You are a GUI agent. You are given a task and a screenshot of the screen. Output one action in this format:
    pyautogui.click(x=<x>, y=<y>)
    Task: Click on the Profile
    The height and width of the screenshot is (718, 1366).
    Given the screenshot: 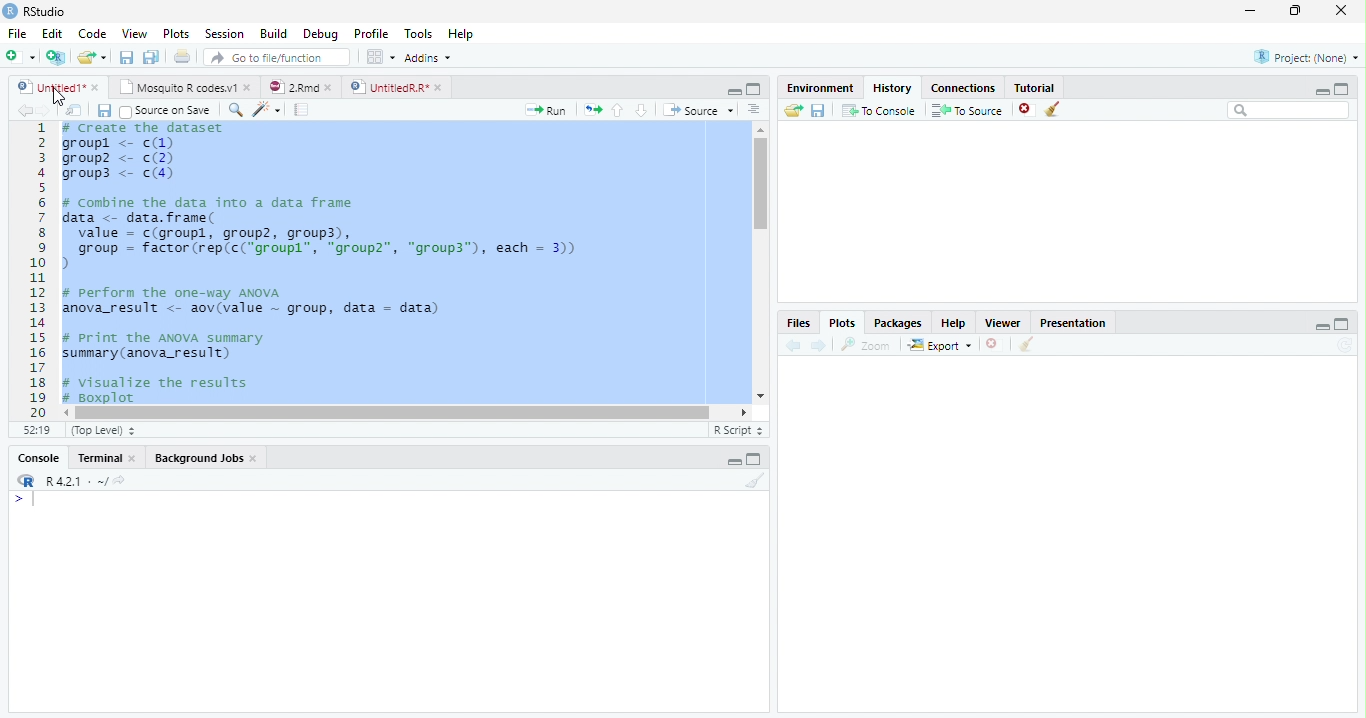 What is the action you would take?
    pyautogui.click(x=370, y=34)
    